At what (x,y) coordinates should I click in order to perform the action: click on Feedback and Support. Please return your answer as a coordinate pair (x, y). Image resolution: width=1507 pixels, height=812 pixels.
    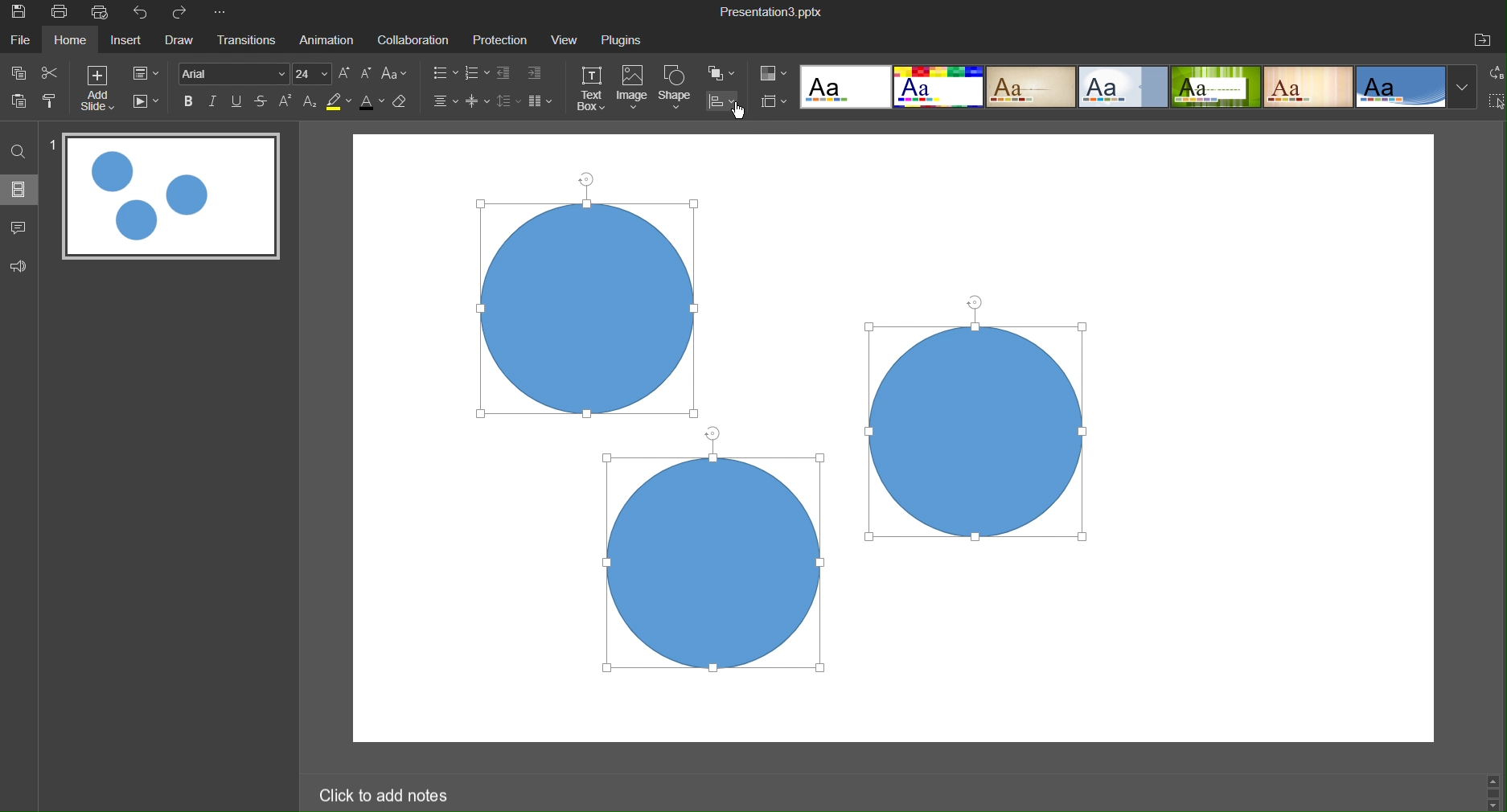
    Looking at the image, I should click on (18, 265).